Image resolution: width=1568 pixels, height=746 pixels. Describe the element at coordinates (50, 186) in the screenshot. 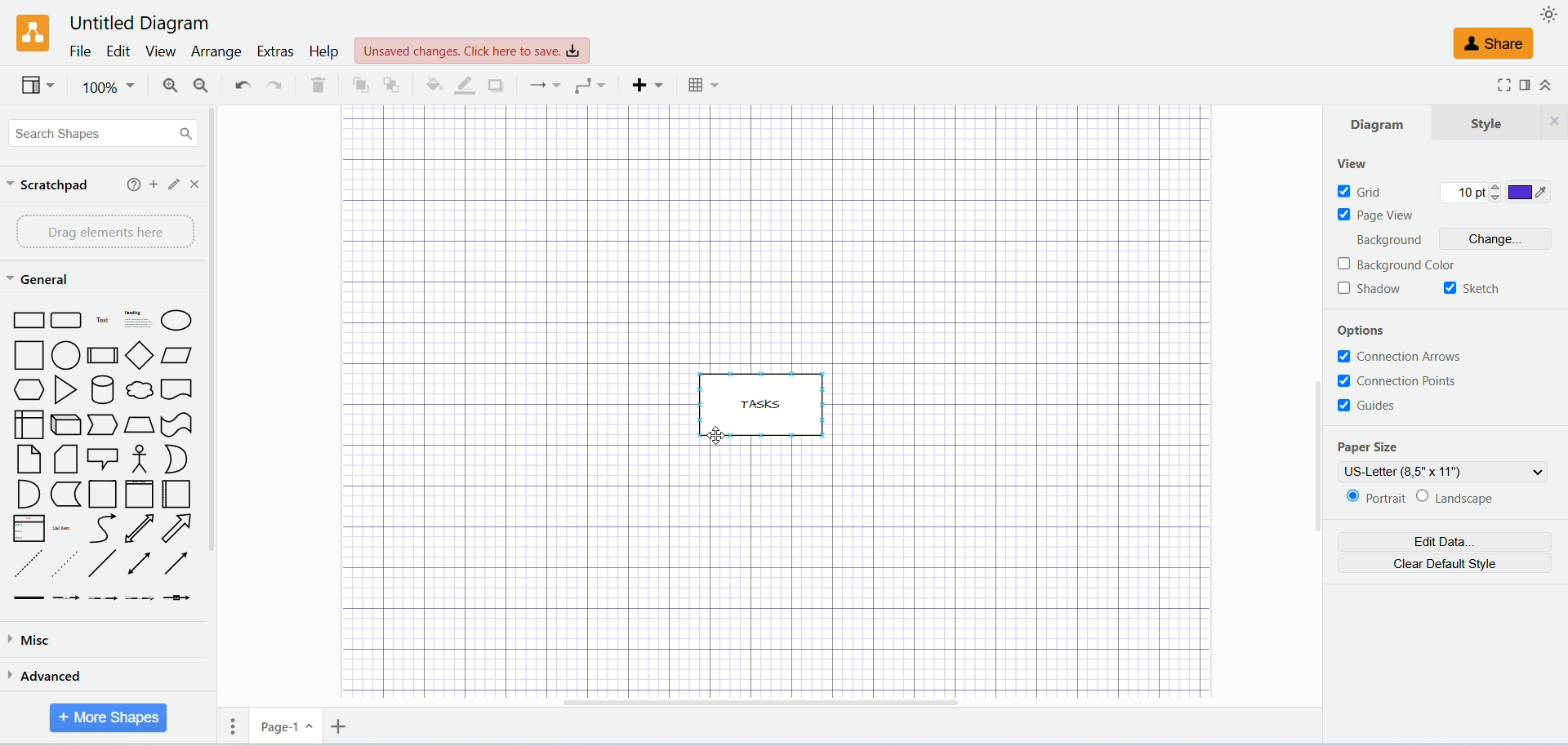

I see `scratchpad` at that location.